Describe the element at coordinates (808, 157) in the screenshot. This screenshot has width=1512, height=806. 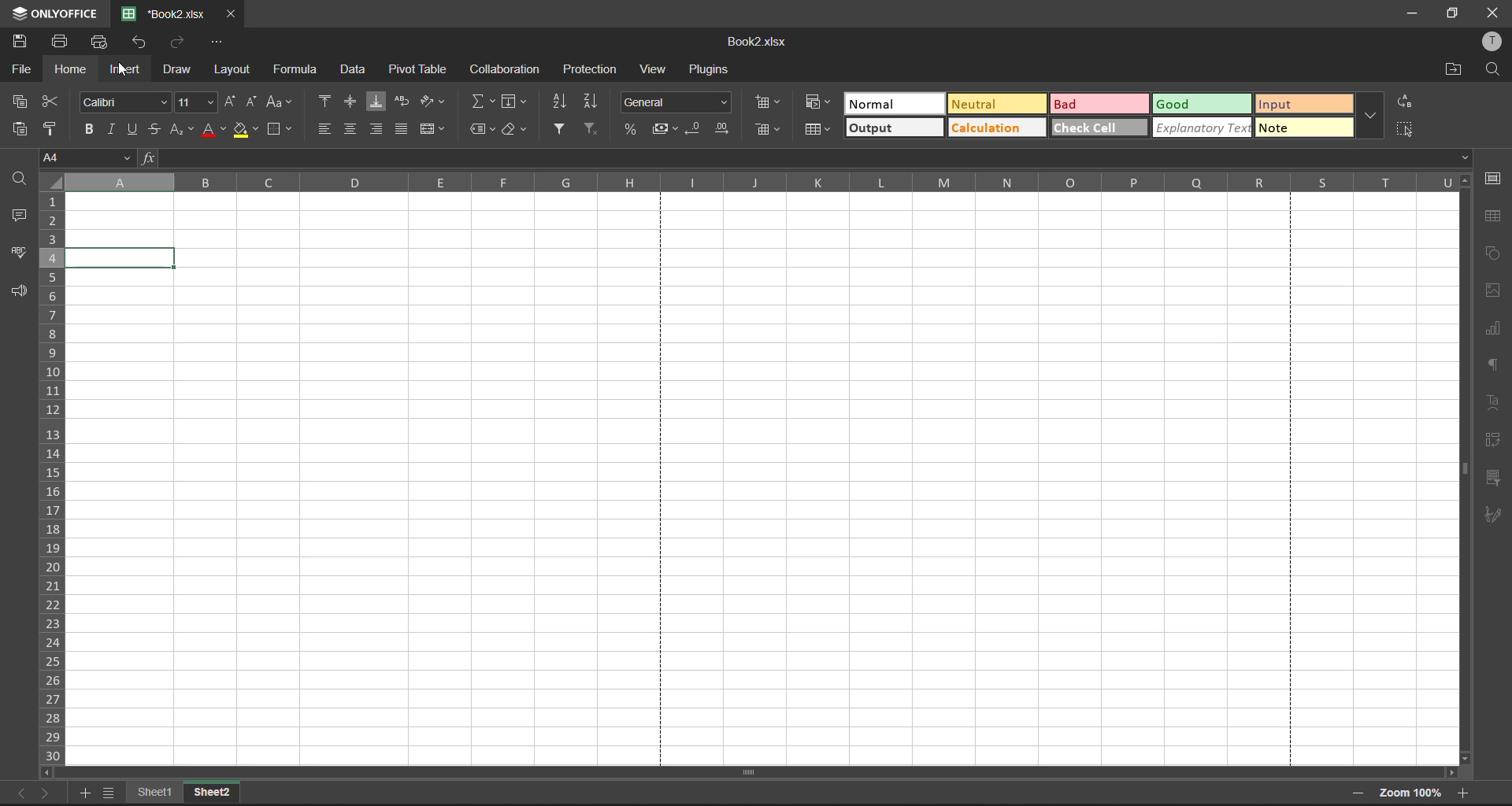
I see `formula bar` at that location.